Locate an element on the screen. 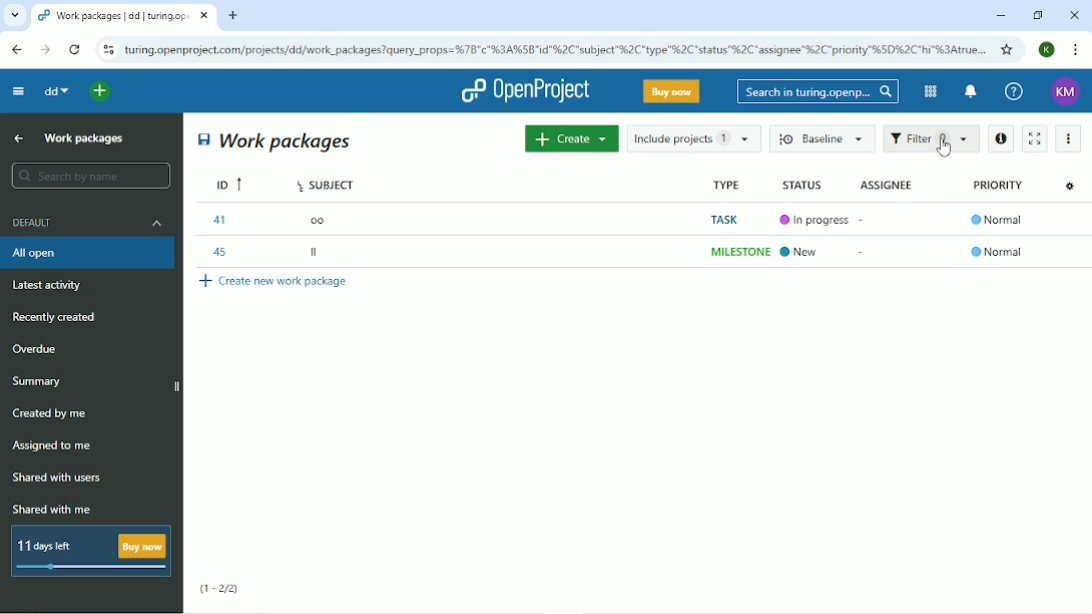 The height and width of the screenshot is (614, 1092). Customize and control google chrome is located at coordinates (1077, 50).